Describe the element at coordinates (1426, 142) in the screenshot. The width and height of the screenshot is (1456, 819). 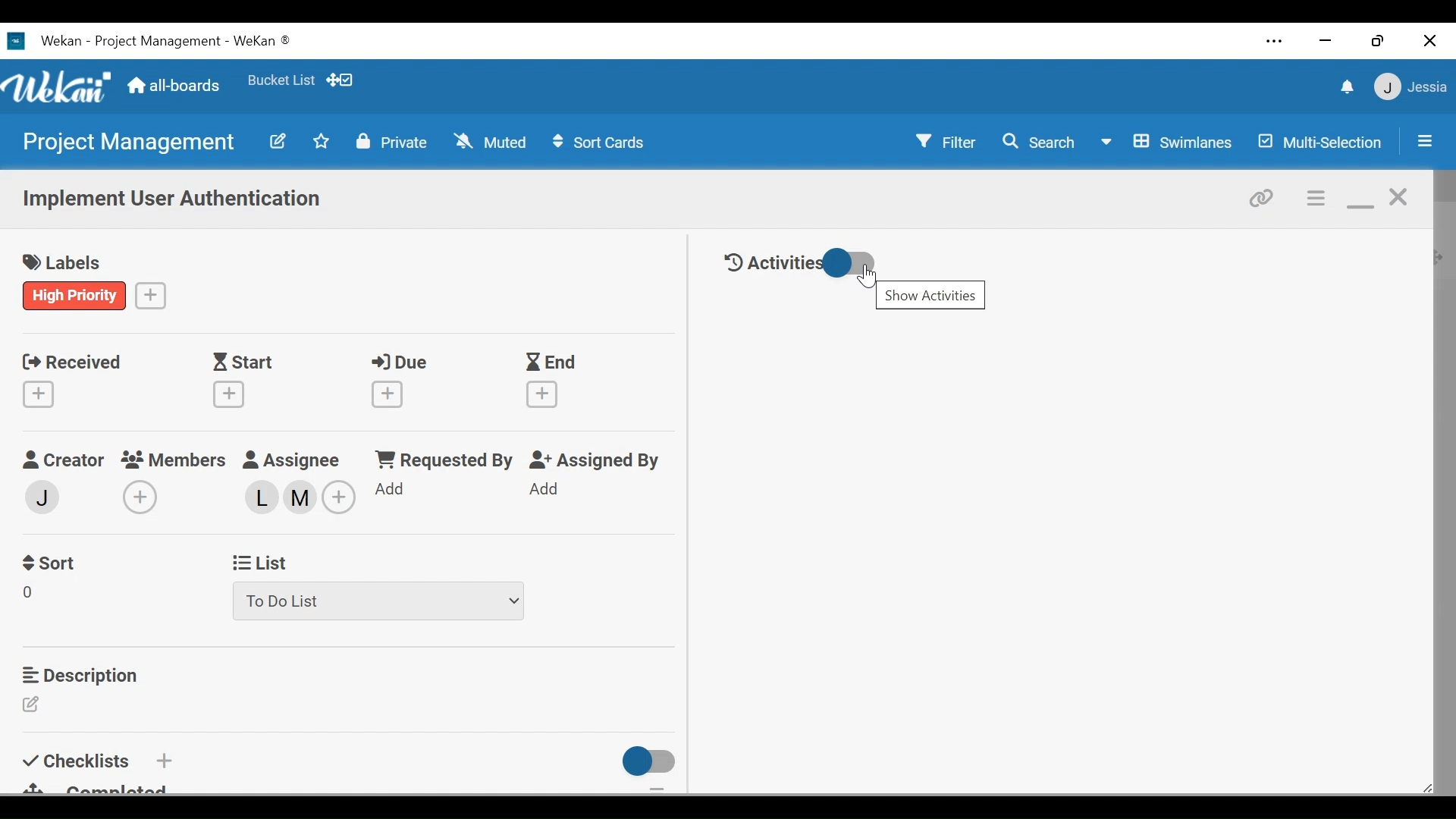
I see `Open/close sidebar` at that location.